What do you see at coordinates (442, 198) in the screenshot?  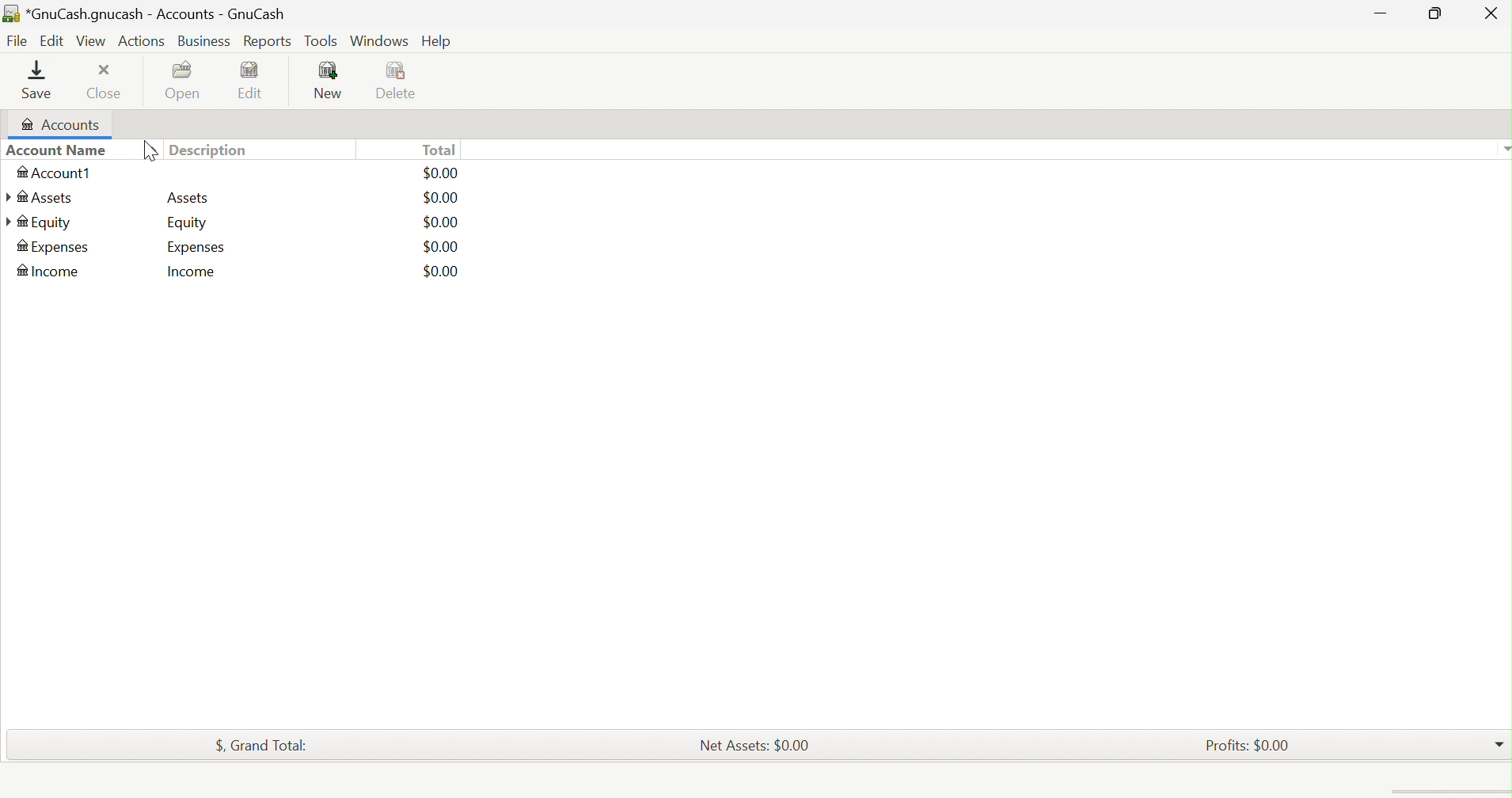 I see `$0.00` at bounding box center [442, 198].